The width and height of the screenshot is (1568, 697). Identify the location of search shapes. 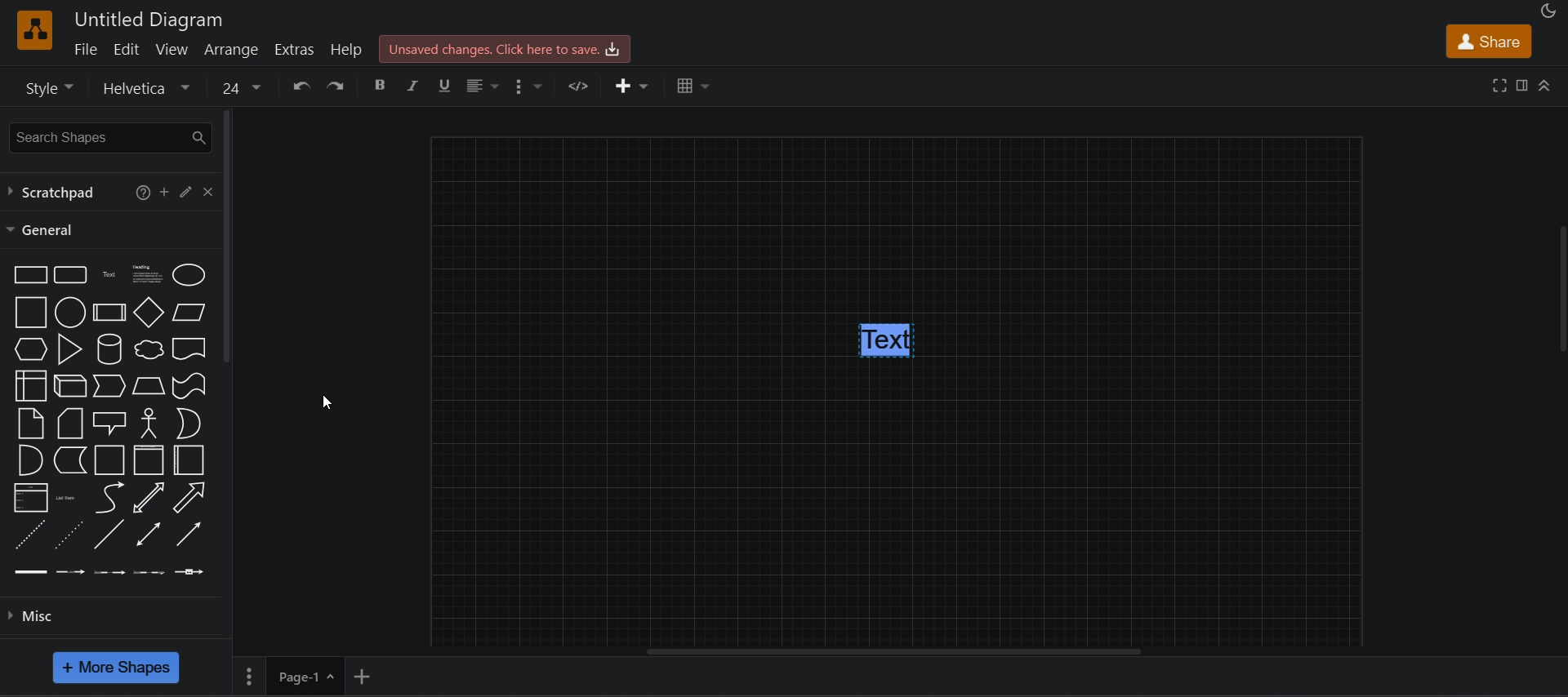
(108, 138).